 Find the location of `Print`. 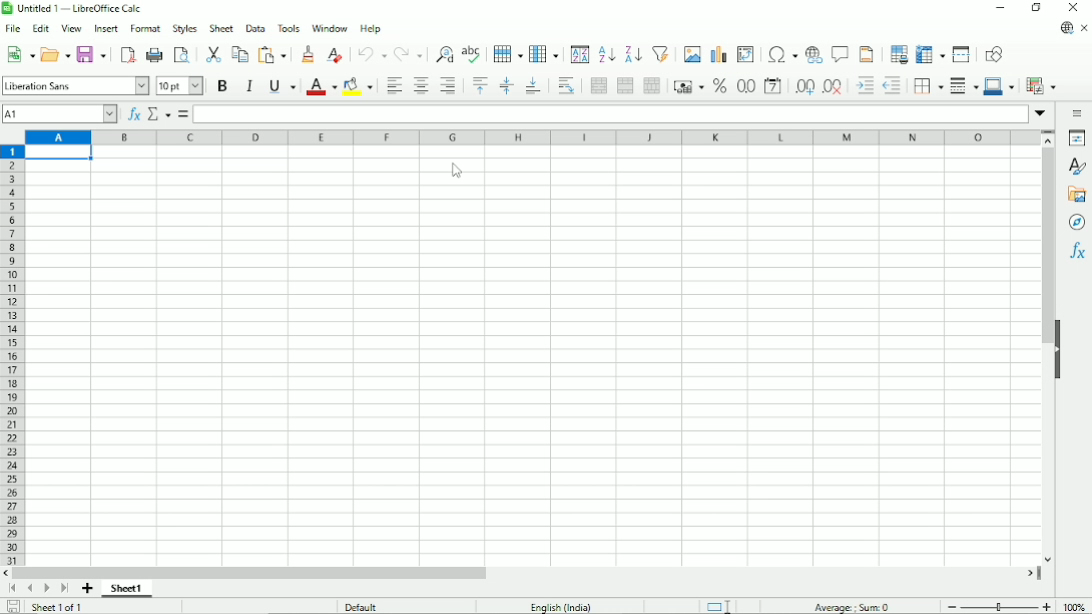

Print is located at coordinates (154, 55).